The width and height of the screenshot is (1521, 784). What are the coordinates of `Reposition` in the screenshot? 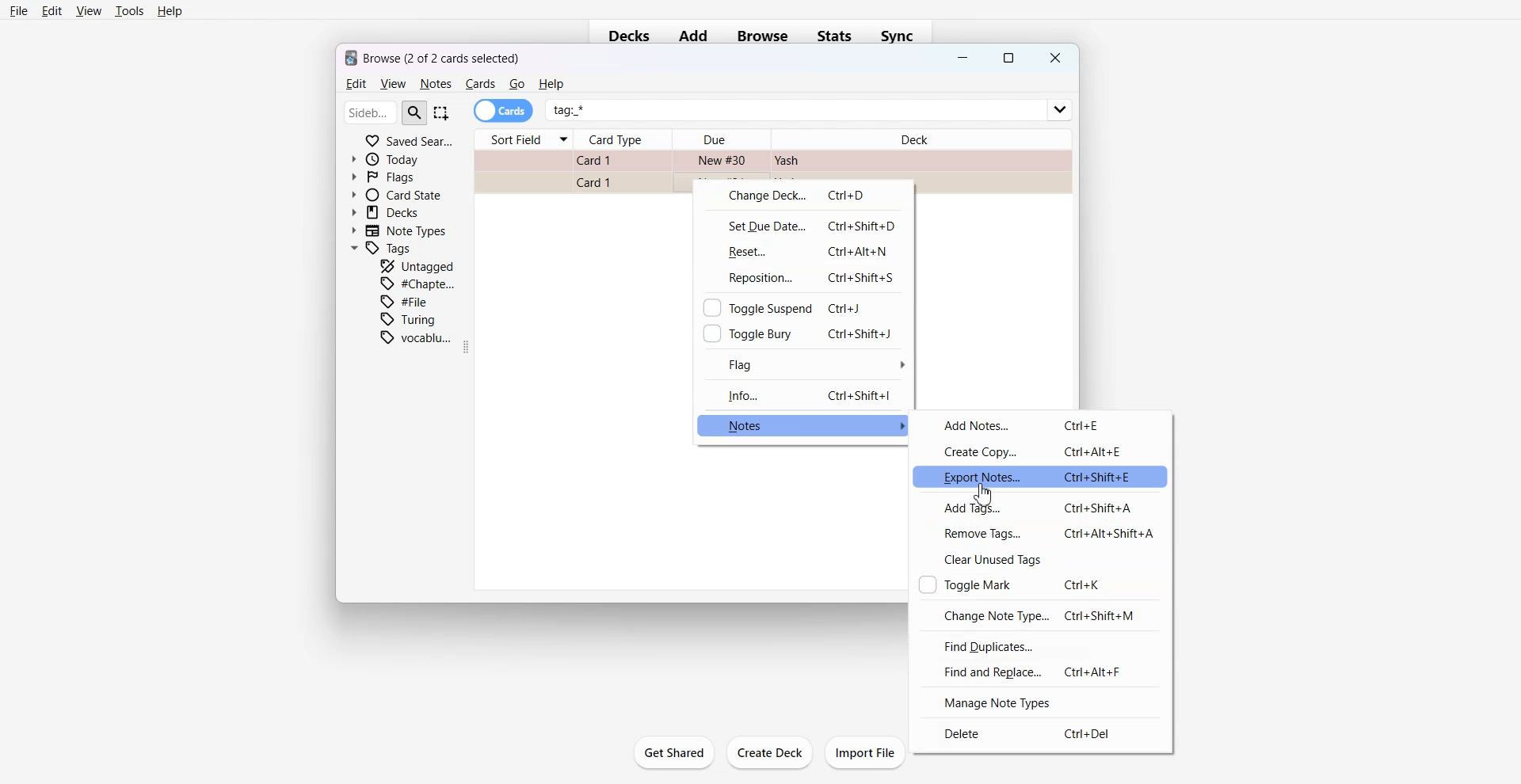 It's located at (803, 278).